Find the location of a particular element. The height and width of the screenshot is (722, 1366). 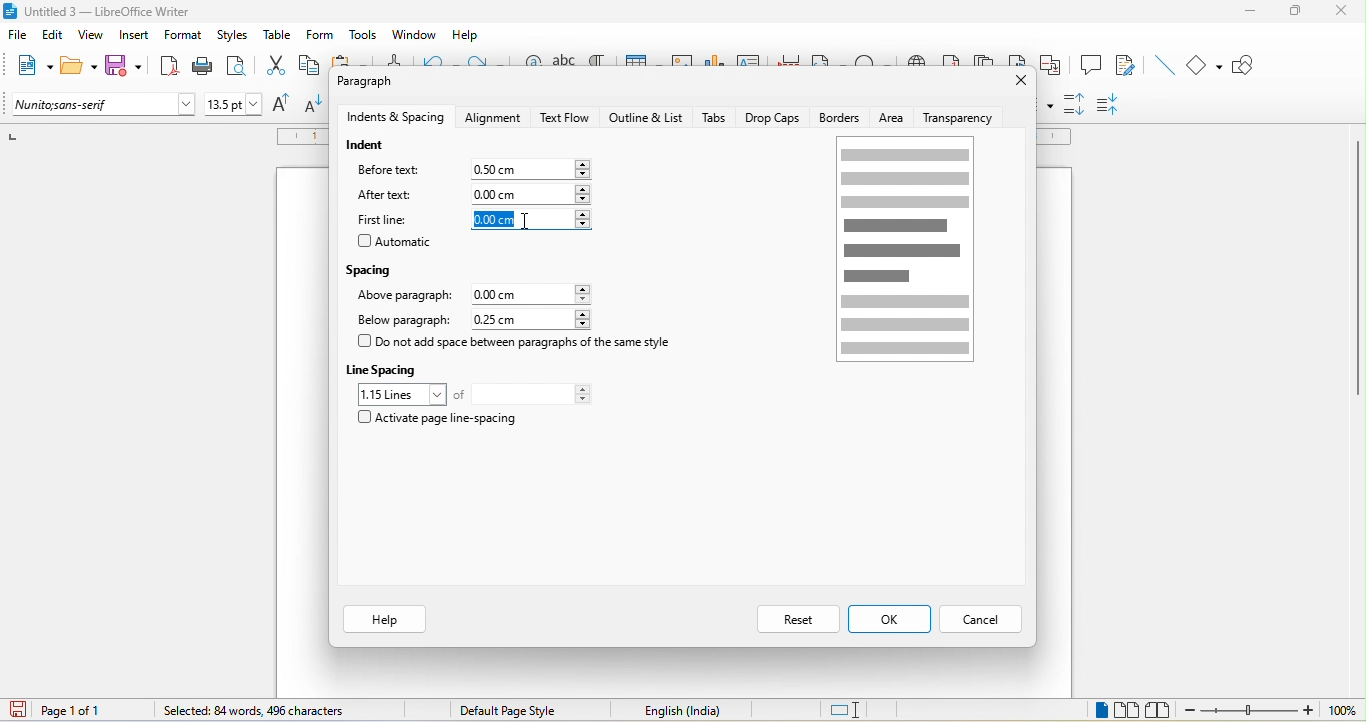

print is located at coordinates (203, 67).